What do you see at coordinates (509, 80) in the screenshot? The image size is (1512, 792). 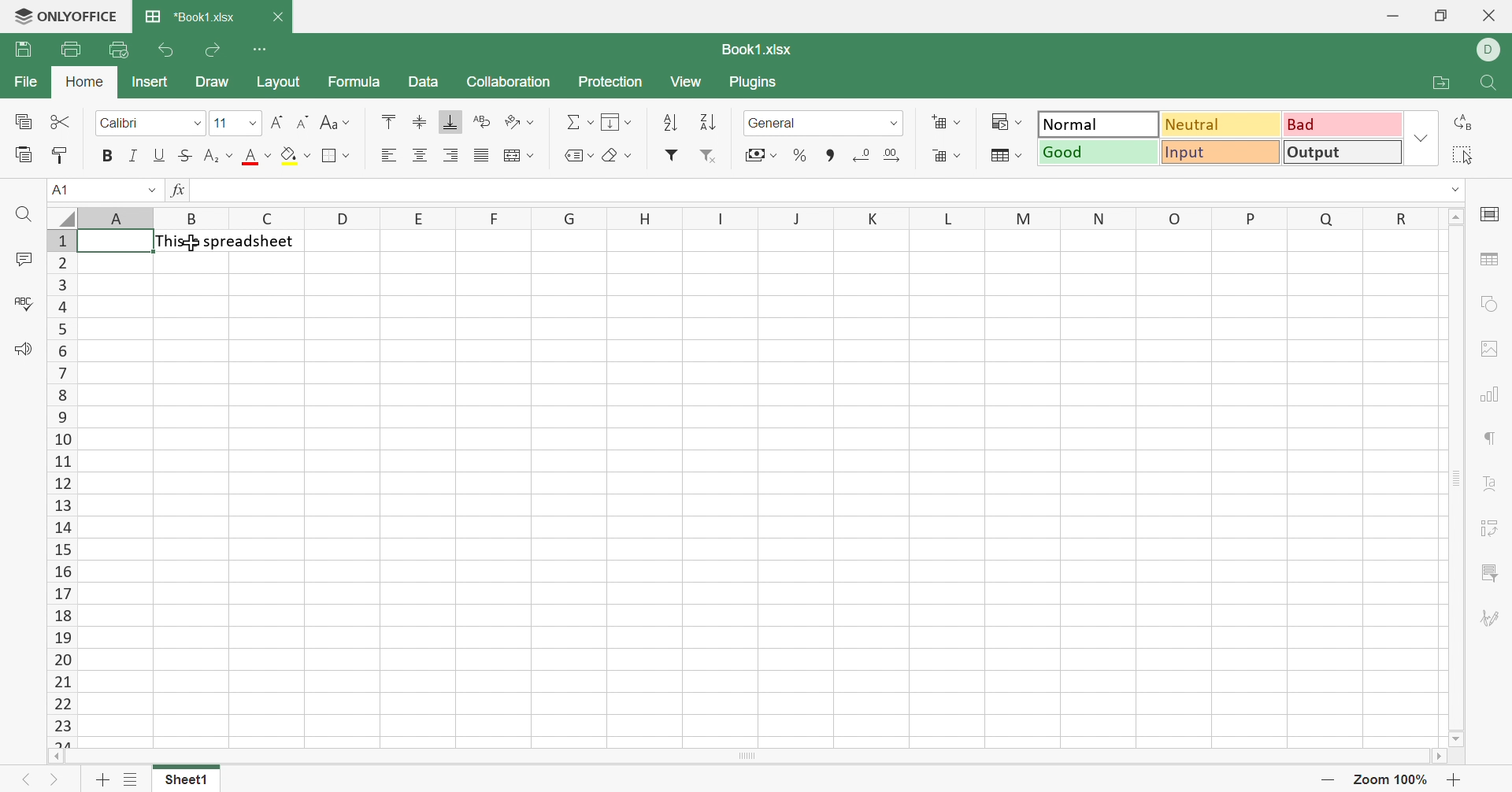 I see `Collaboration` at bounding box center [509, 80].